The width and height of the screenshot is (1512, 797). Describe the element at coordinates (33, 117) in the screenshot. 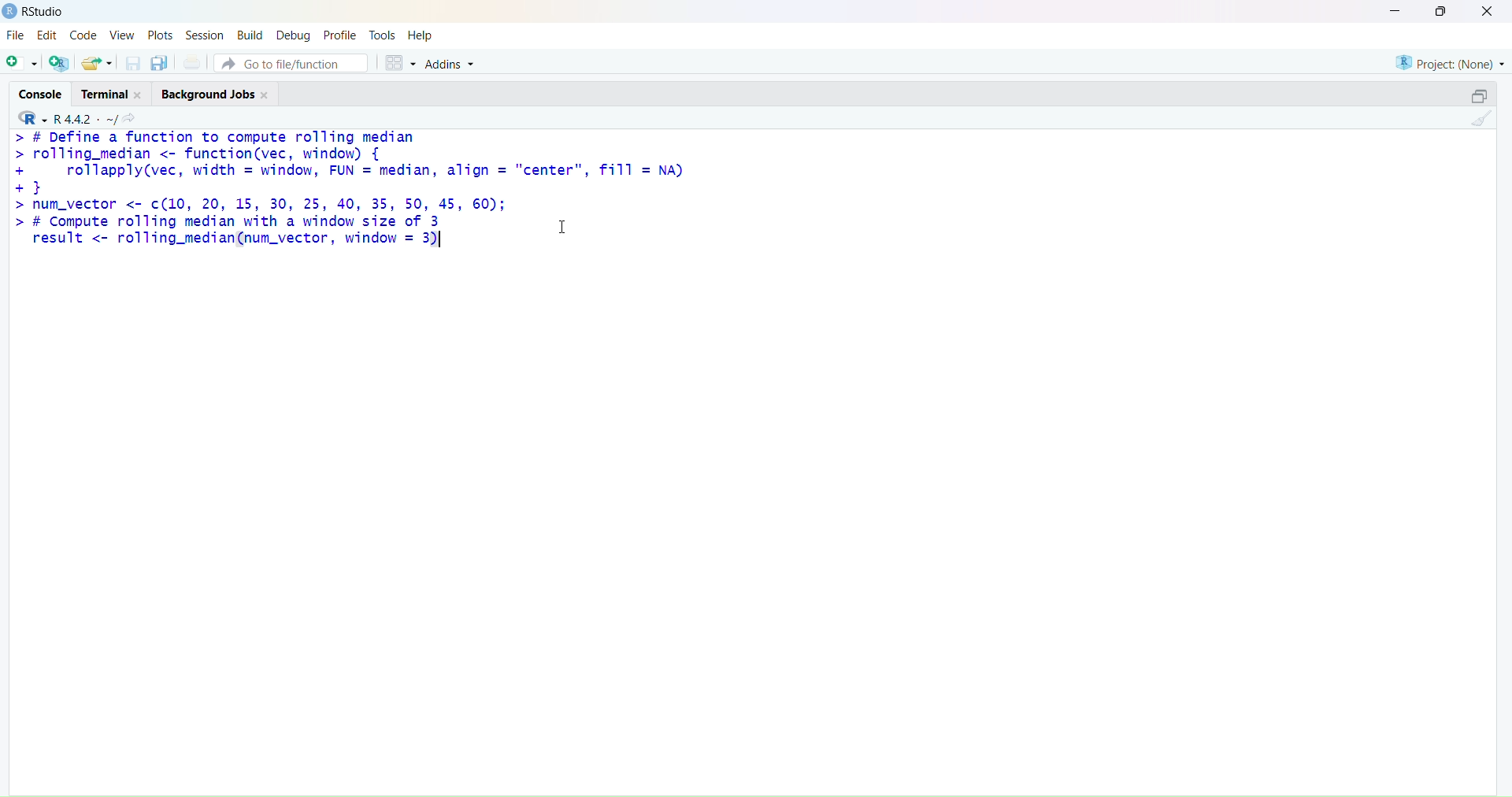

I see `R` at that location.